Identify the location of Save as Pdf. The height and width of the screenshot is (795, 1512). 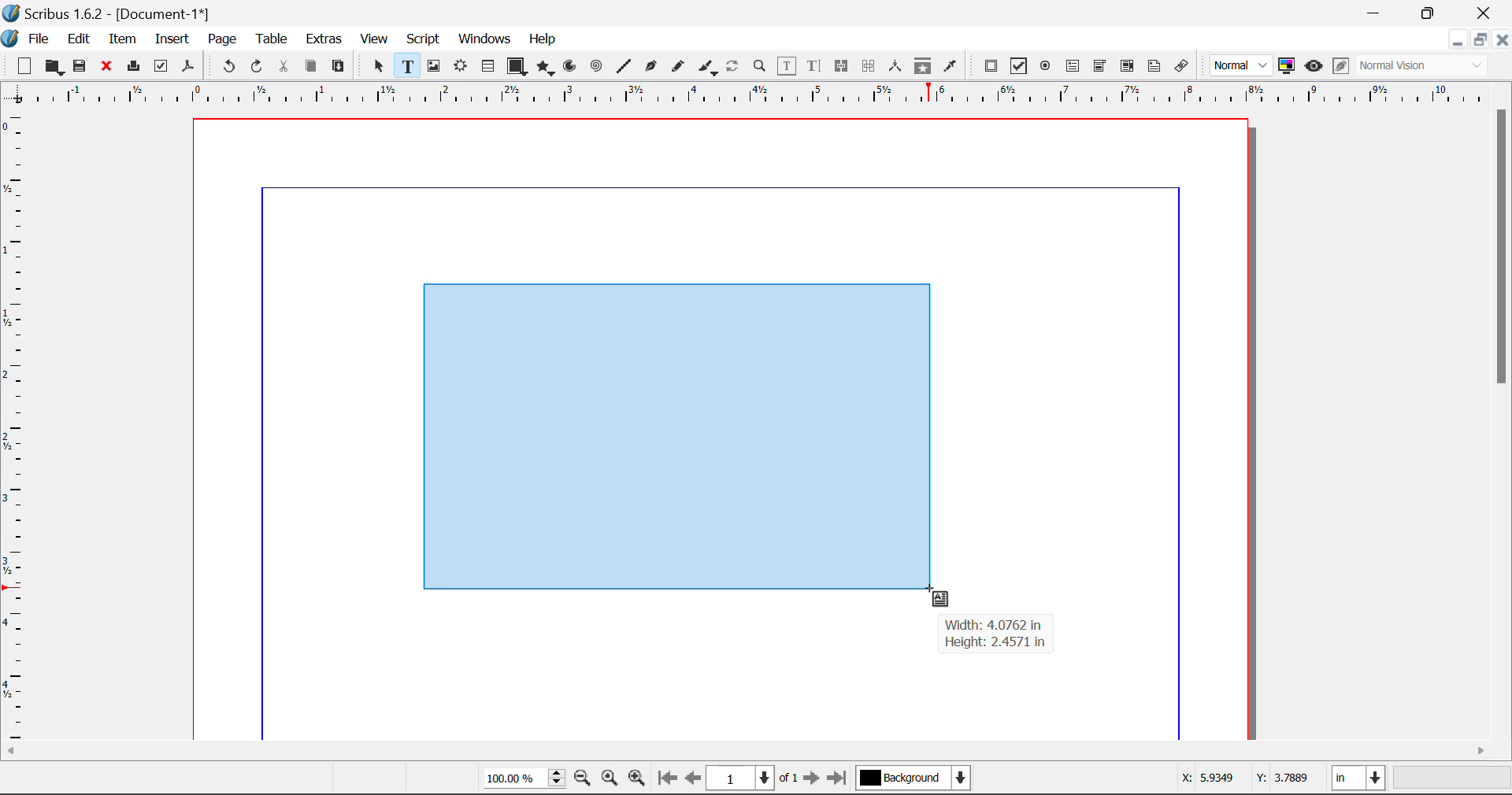
(188, 67).